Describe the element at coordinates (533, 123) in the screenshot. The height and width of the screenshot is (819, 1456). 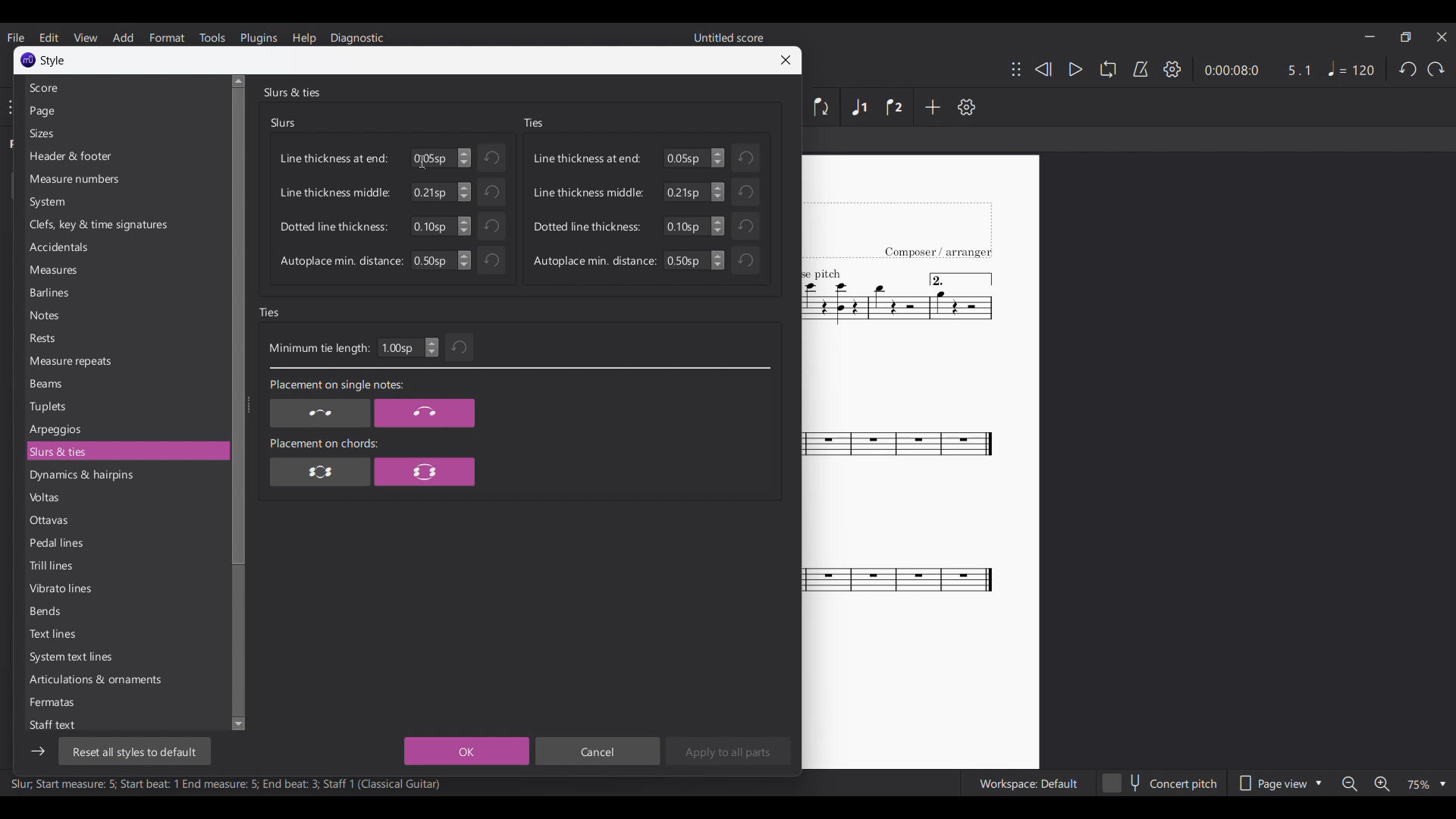
I see `Ties` at that location.